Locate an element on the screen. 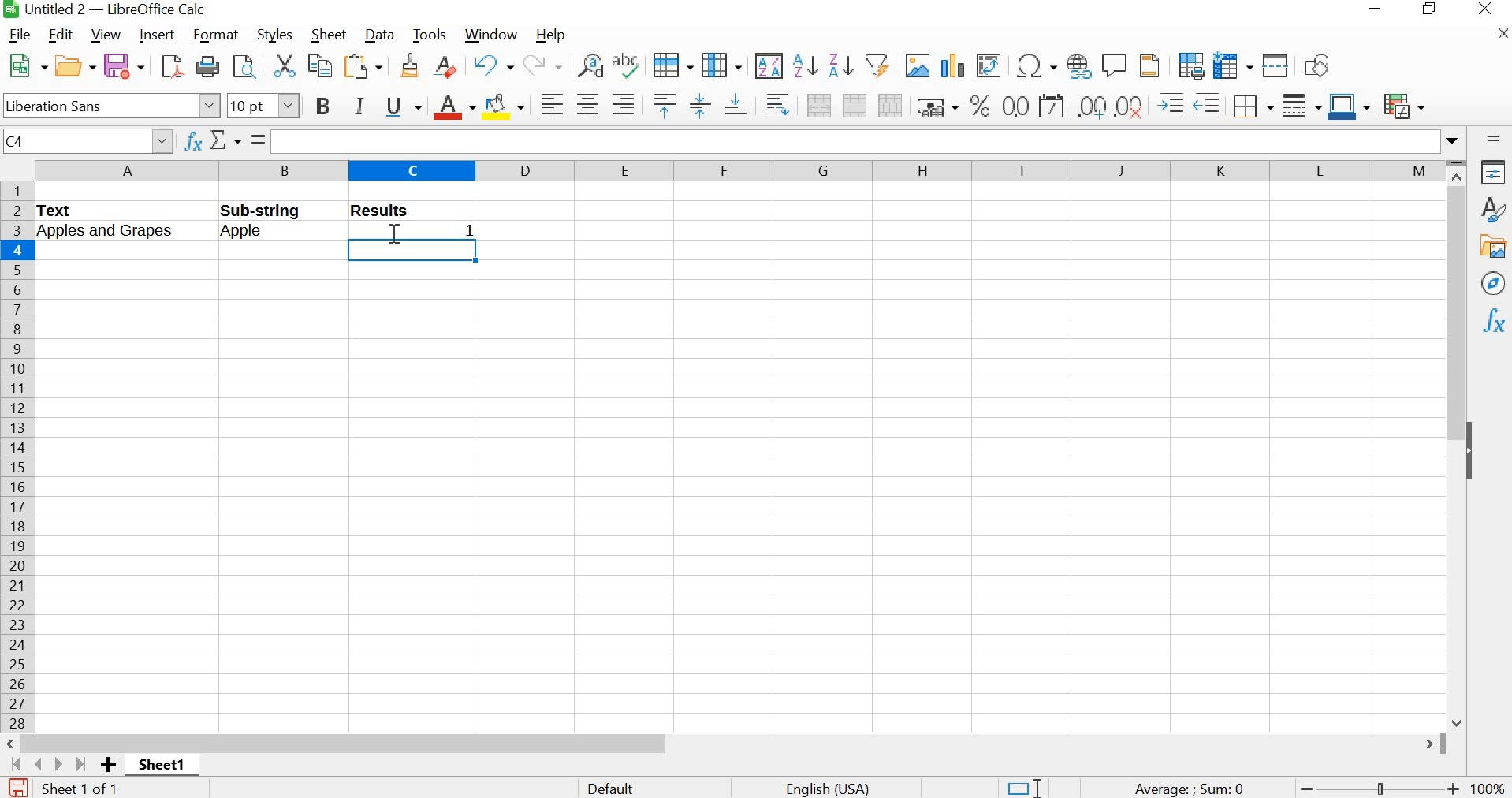  column is located at coordinates (721, 65).